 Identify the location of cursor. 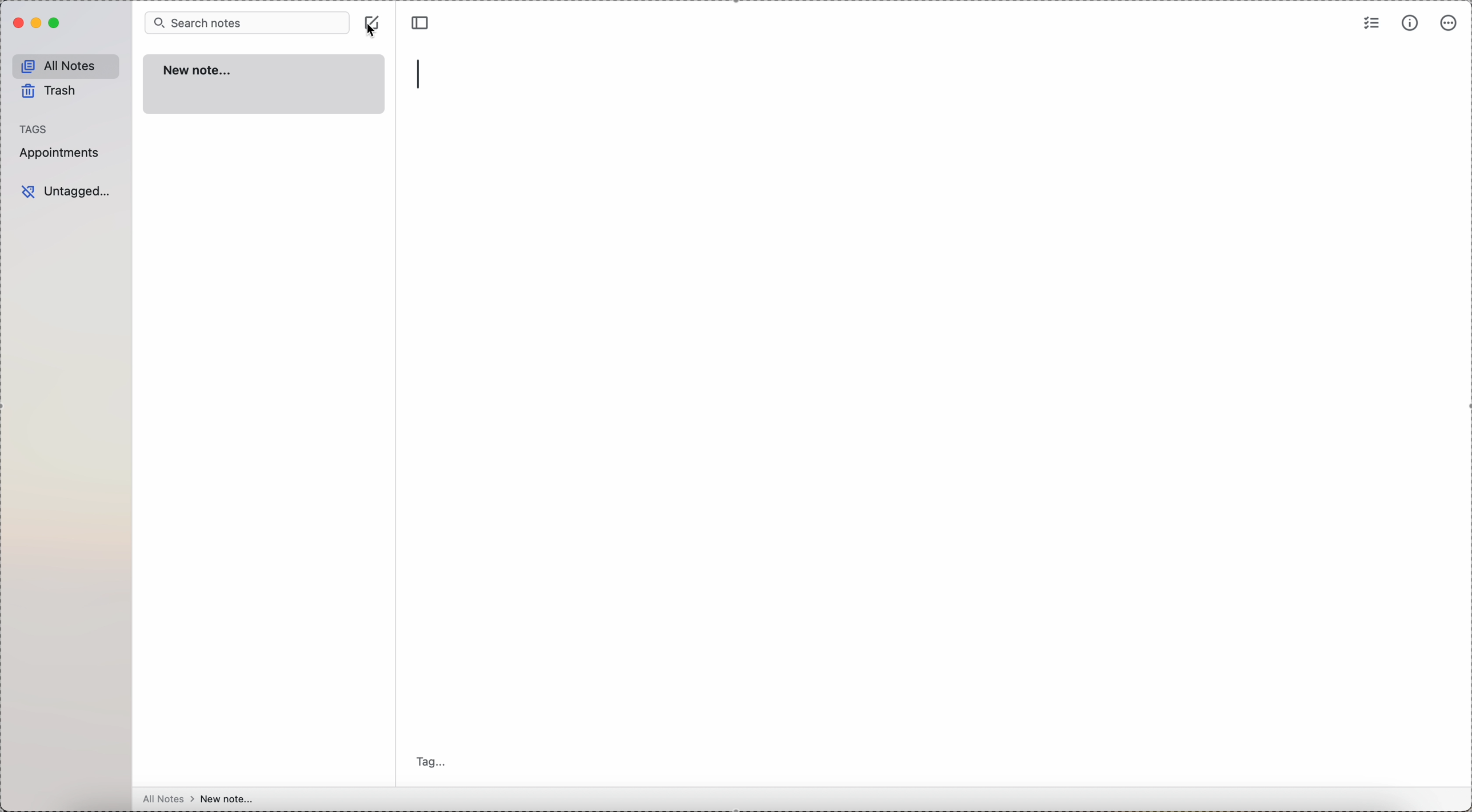
(371, 28).